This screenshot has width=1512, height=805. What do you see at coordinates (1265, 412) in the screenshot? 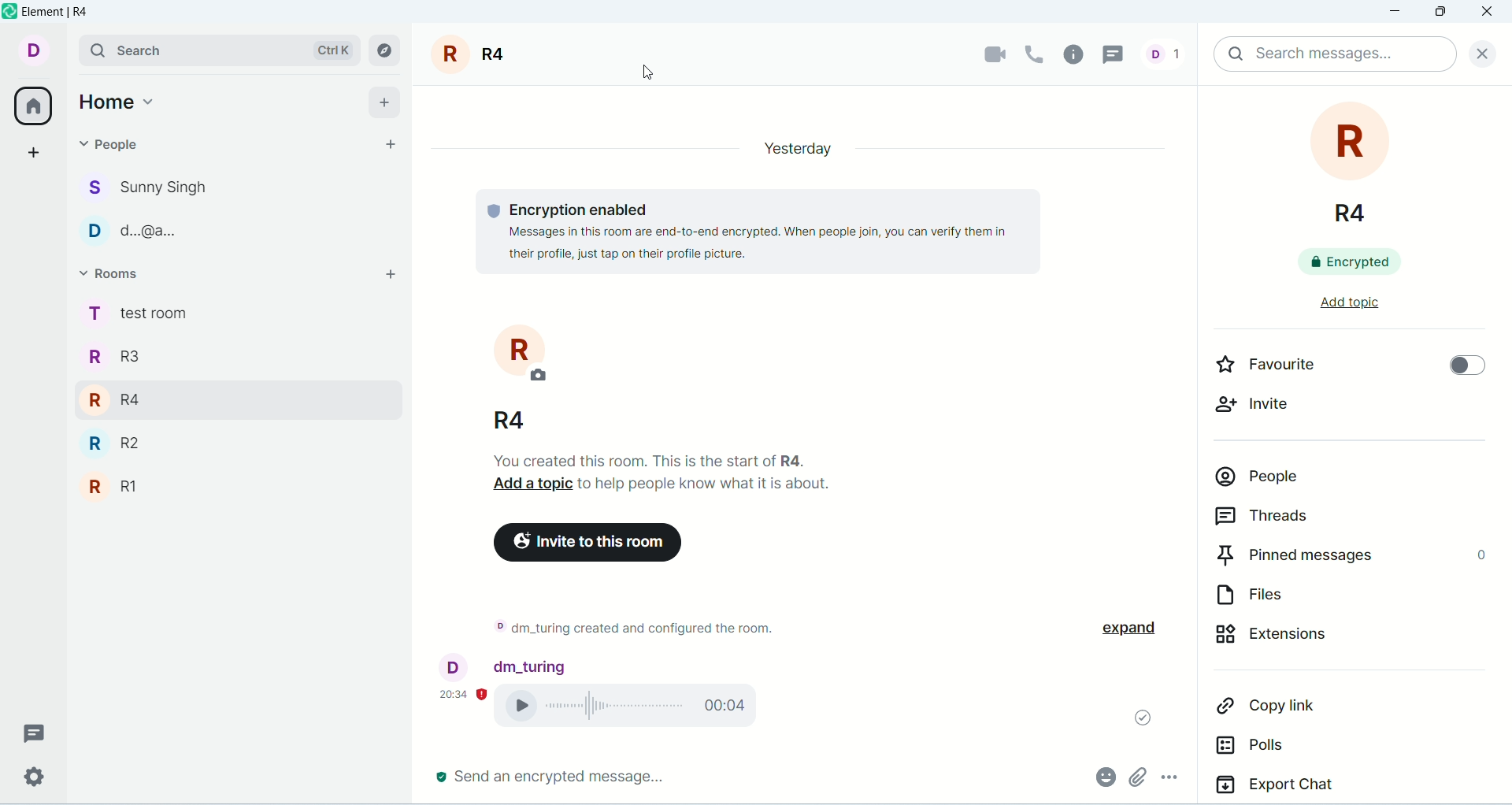
I see `invite` at bounding box center [1265, 412].